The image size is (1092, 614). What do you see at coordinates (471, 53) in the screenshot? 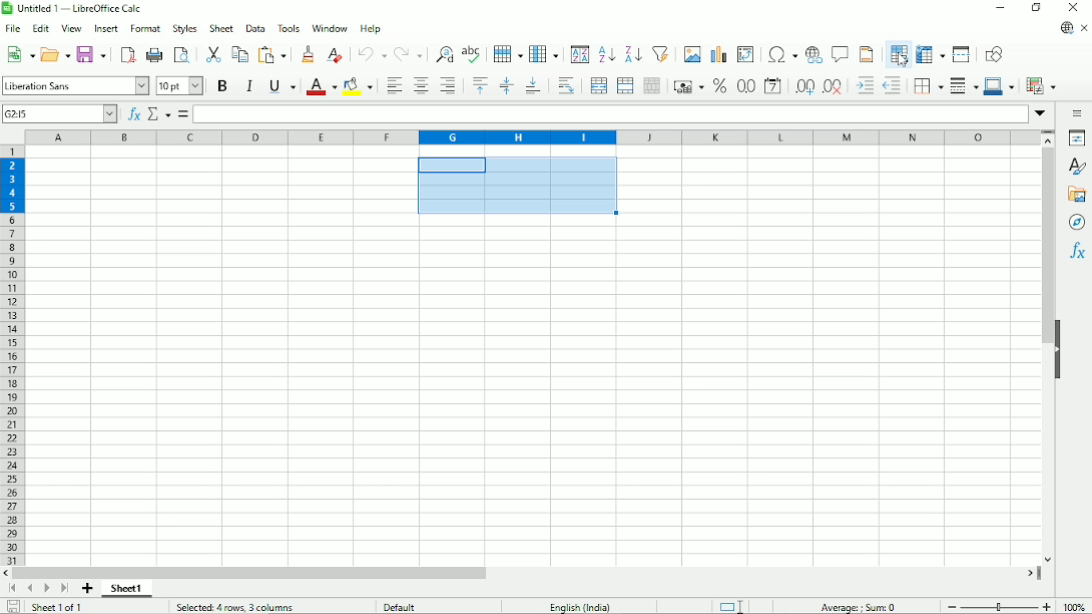
I see `Spell check` at bounding box center [471, 53].